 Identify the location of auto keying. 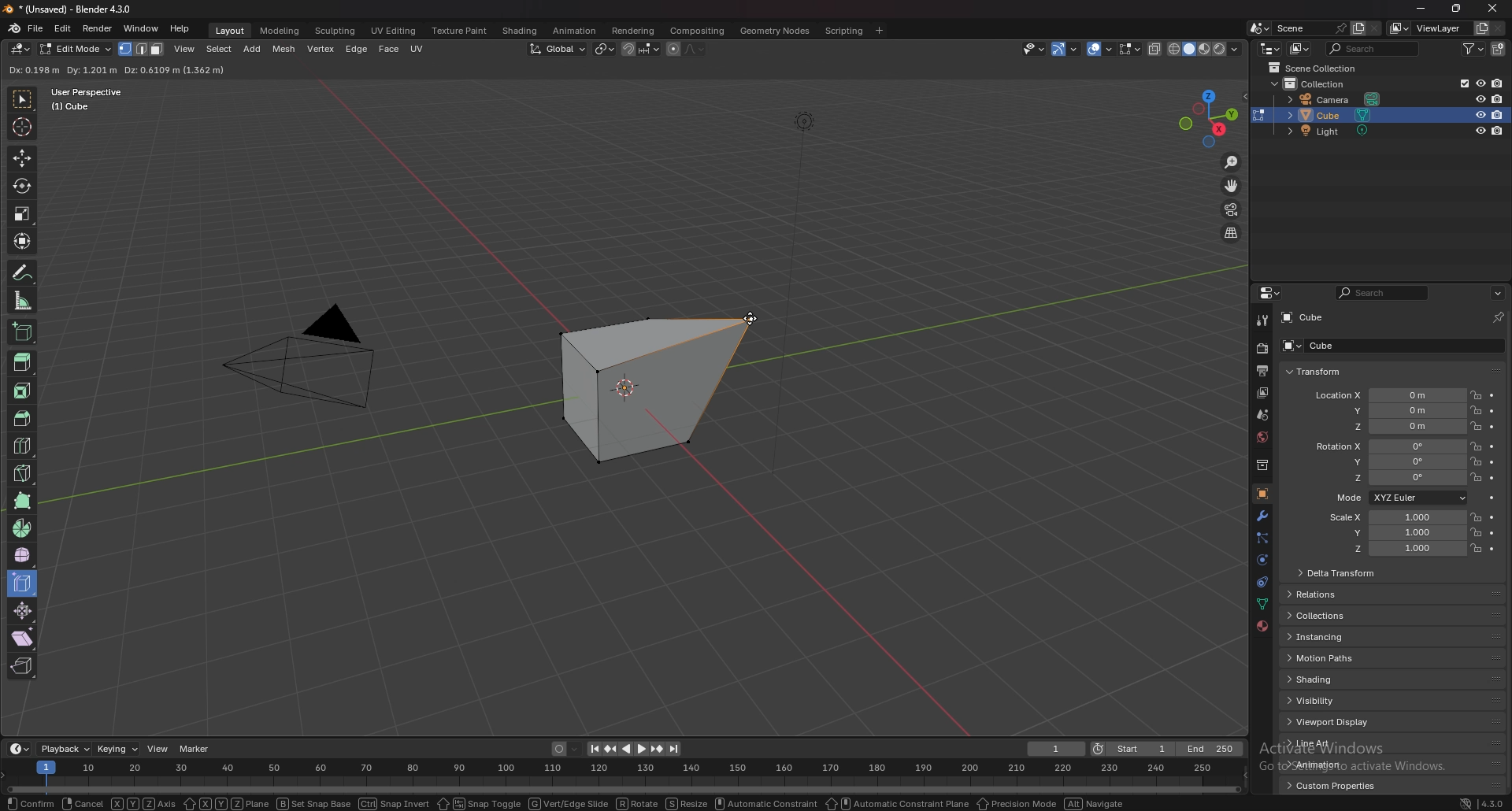
(565, 748).